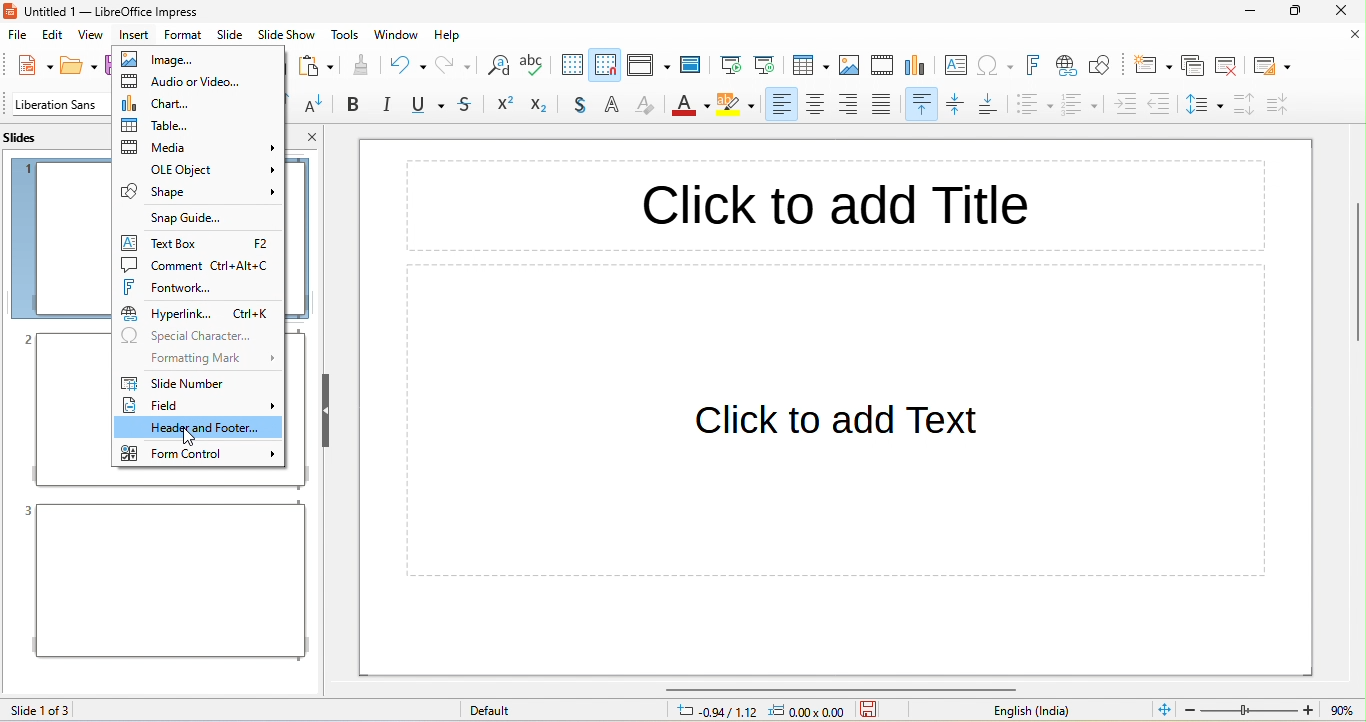 This screenshot has height=722, width=1366. I want to click on video, so click(882, 64).